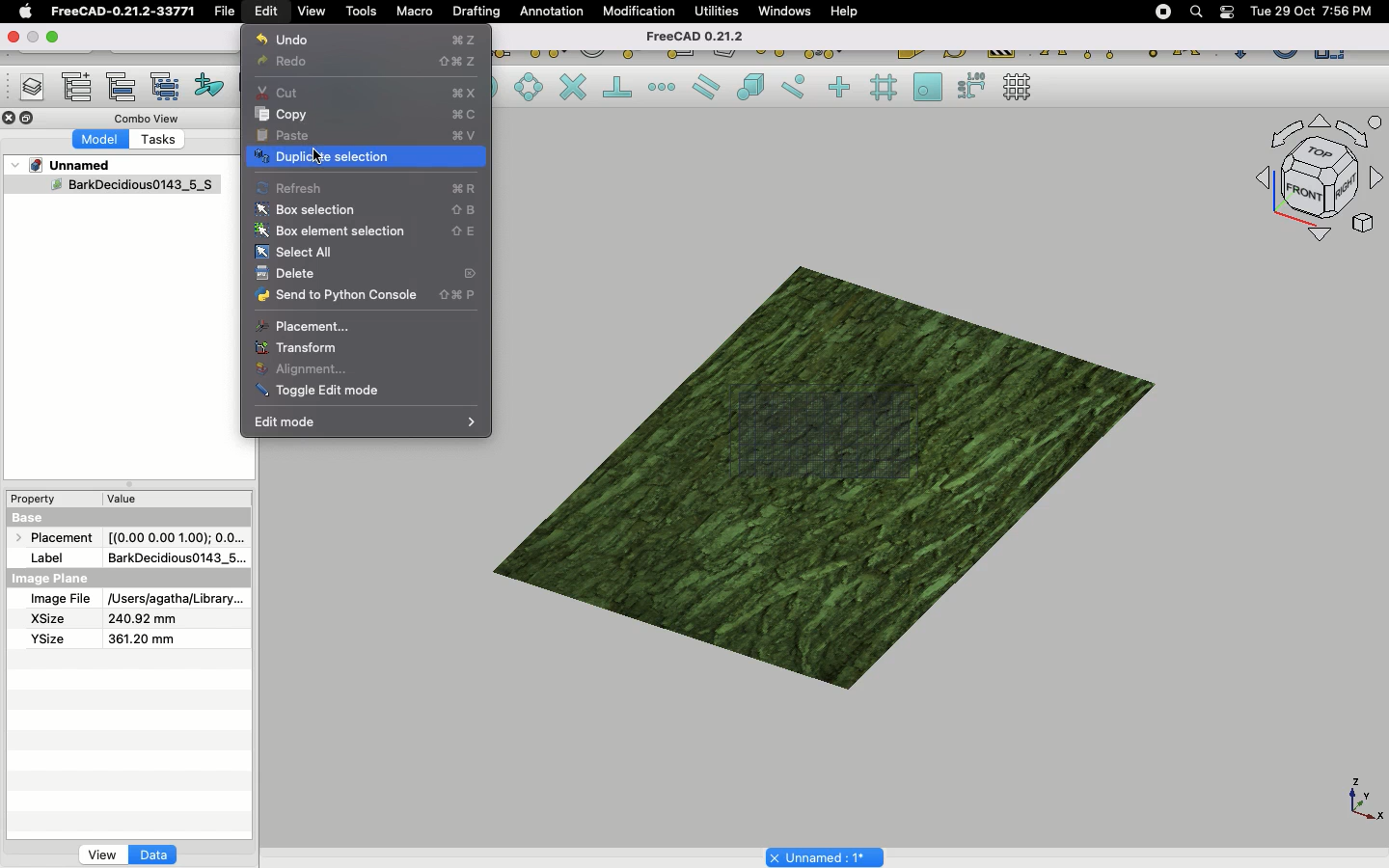 The height and width of the screenshot is (868, 1389). Describe the element at coordinates (312, 10) in the screenshot. I see `View` at that location.